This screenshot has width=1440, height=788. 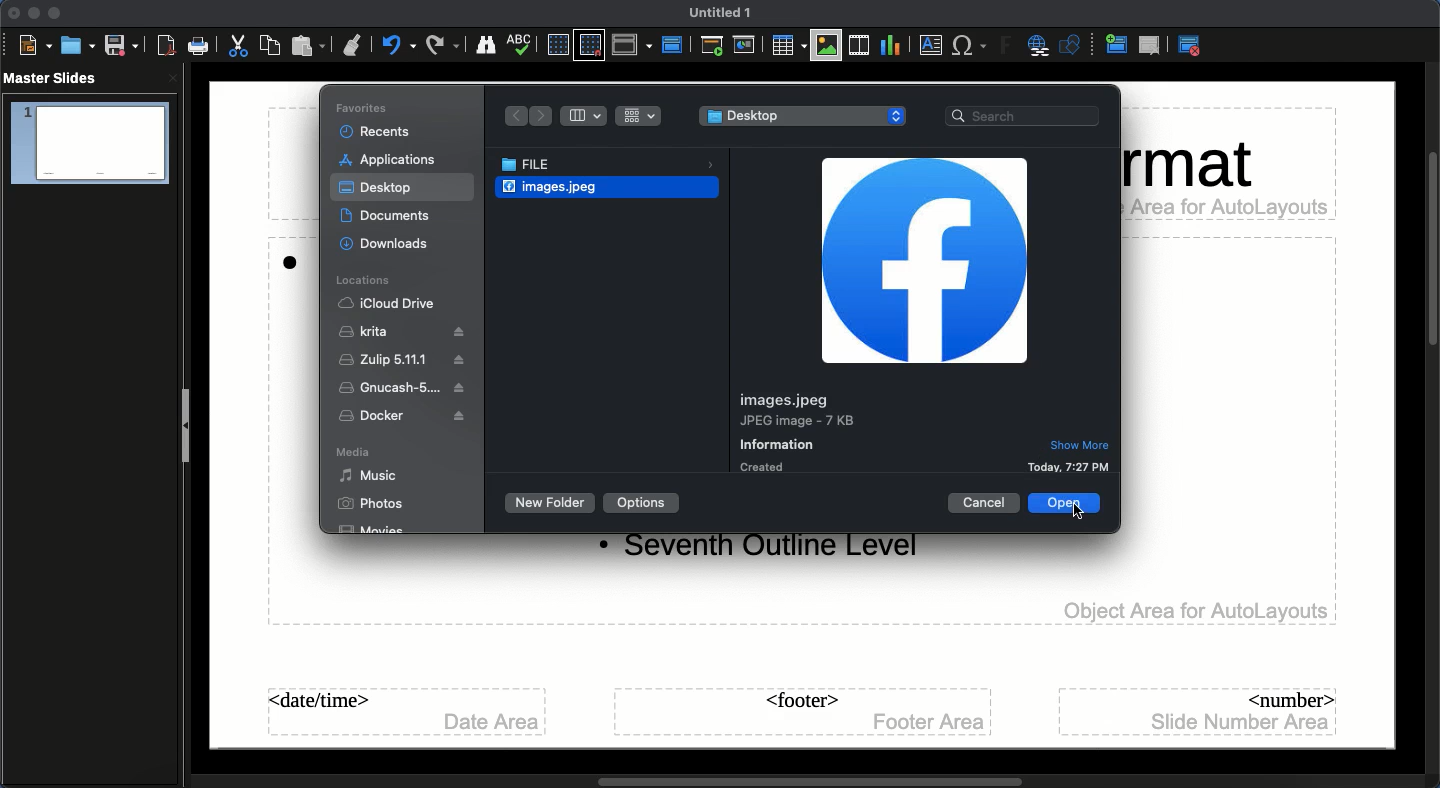 What do you see at coordinates (485, 44) in the screenshot?
I see `Finder` at bounding box center [485, 44].